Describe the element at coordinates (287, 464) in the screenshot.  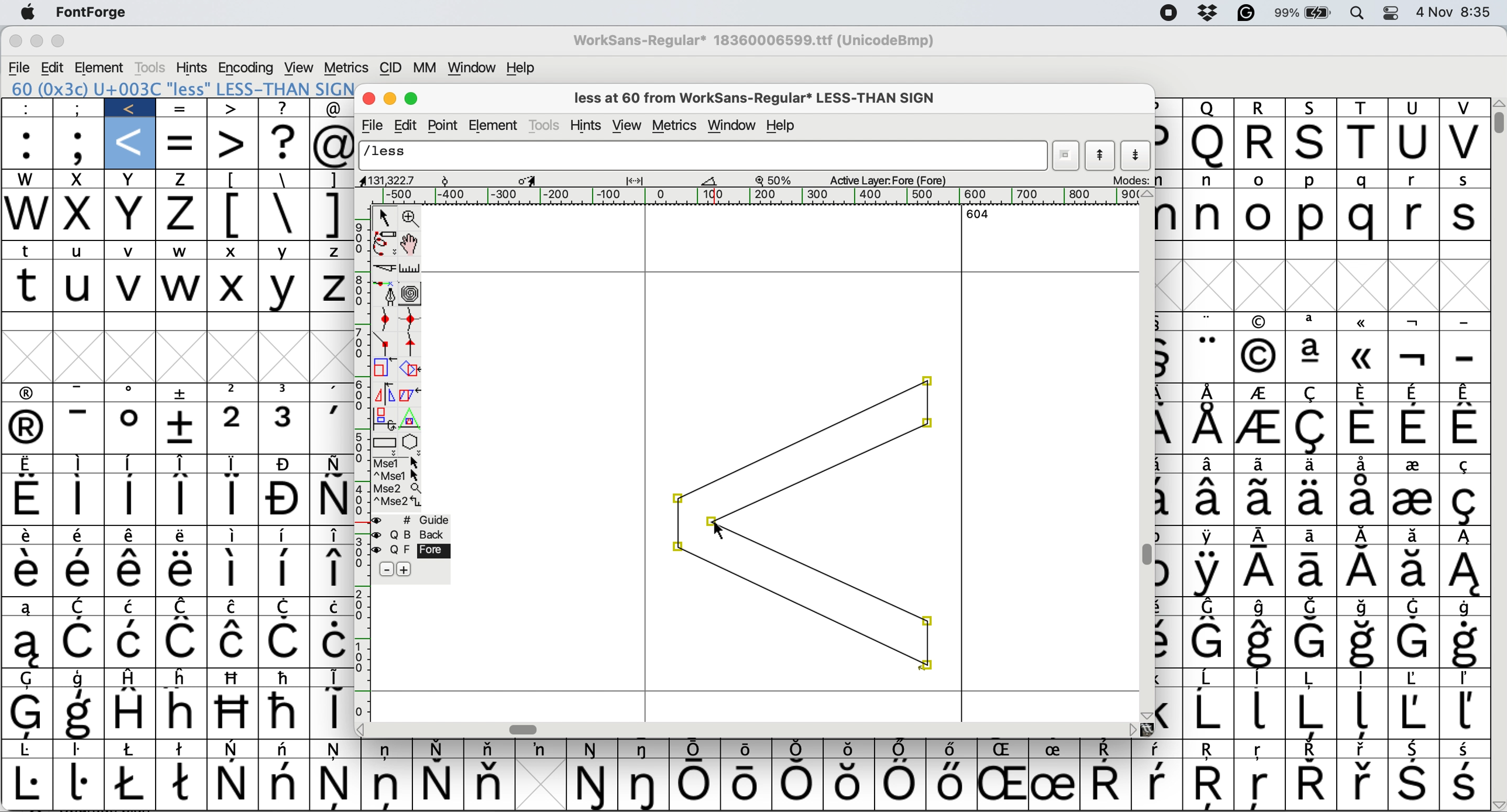
I see `Symbol` at that location.